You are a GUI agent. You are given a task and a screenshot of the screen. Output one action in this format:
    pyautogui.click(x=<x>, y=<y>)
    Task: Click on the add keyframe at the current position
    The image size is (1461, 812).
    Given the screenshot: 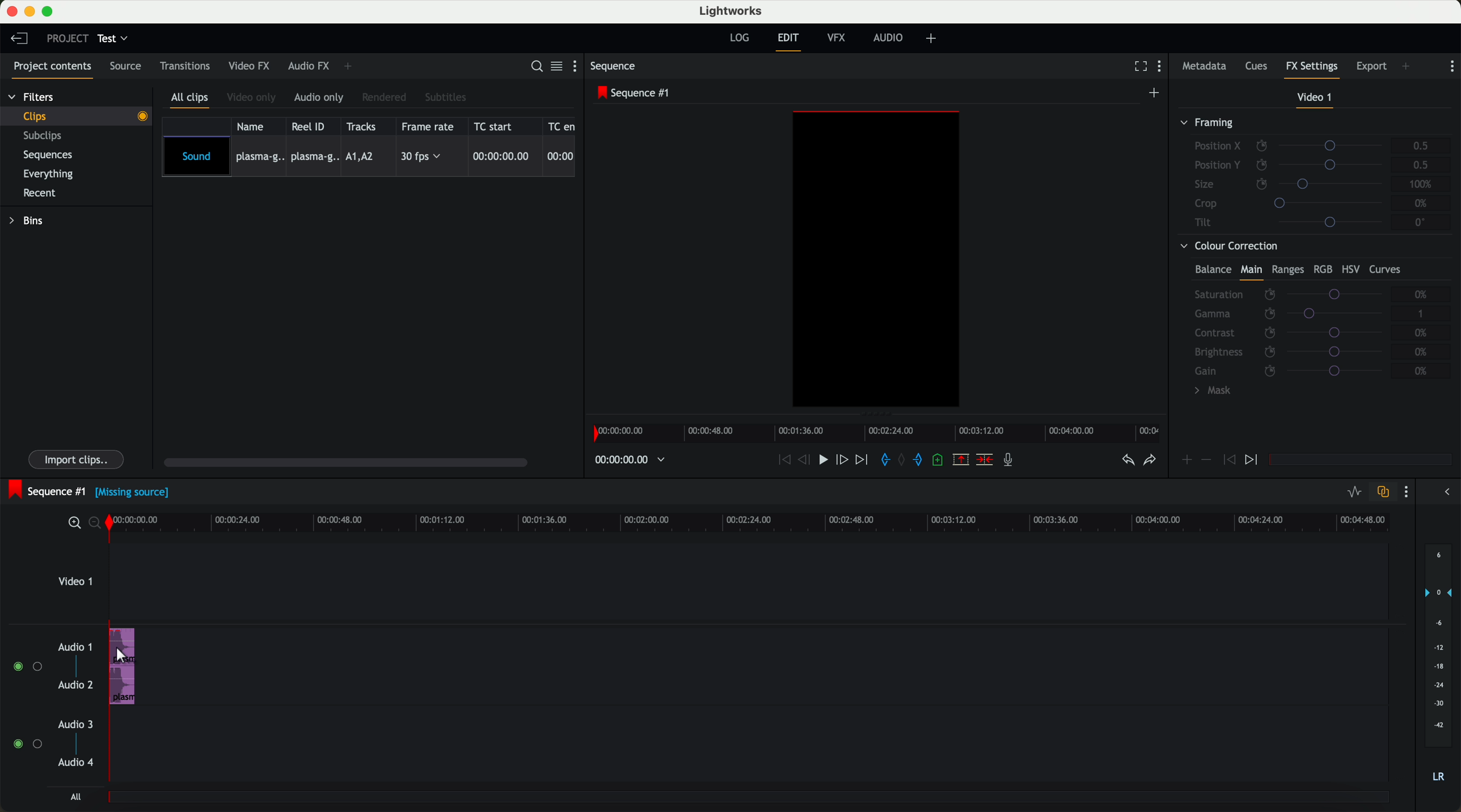 What is the action you would take?
    pyautogui.click(x=1187, y=460)
    